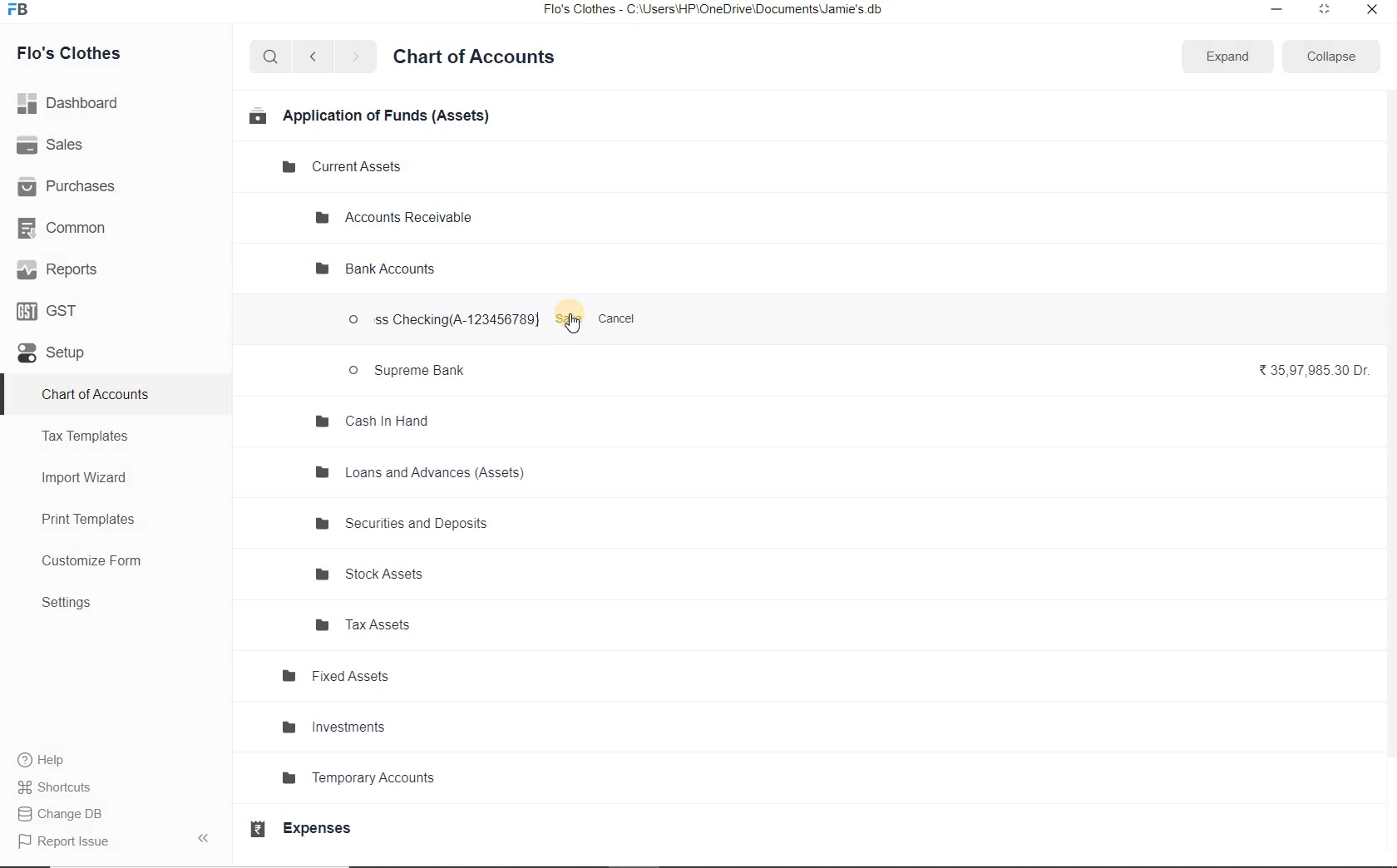 The height and width of the screenshot is (868, 1397). What do you see at coordinates (357, 57) in the screenshot?
I see `forward` at bounding box center [357, 57].